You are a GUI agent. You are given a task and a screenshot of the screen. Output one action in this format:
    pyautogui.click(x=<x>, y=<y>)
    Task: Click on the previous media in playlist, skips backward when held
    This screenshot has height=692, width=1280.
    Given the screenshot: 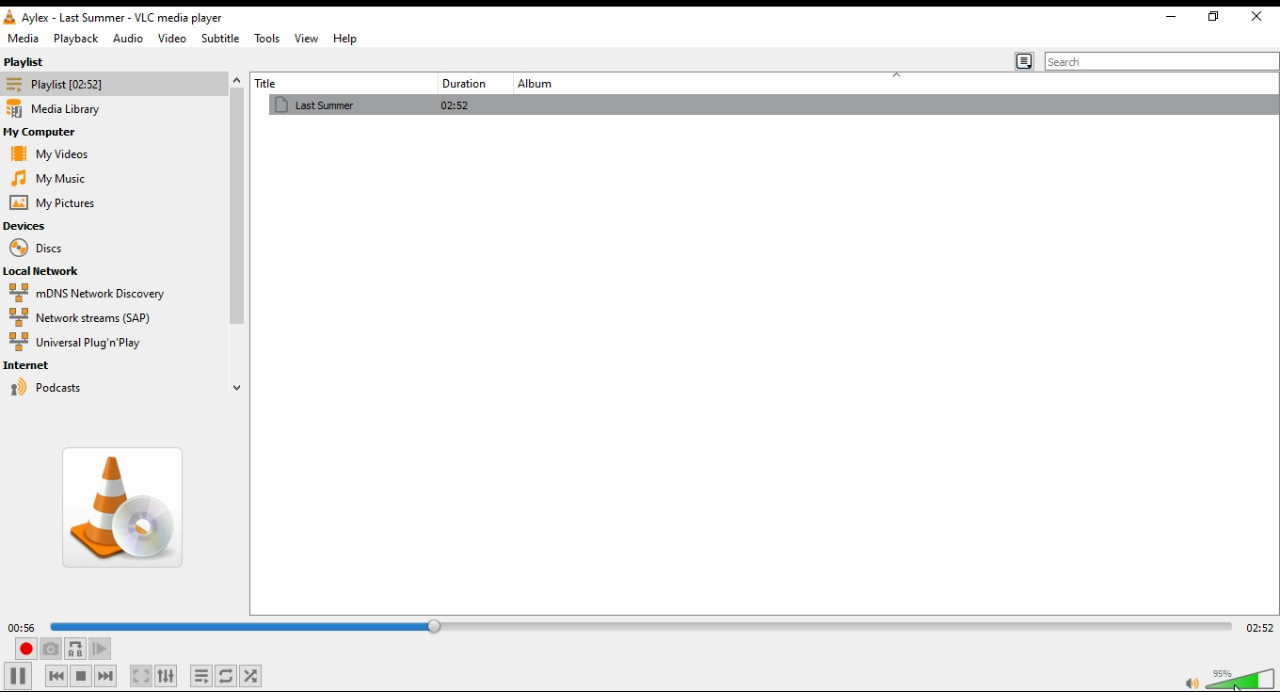 What is the action you would take?
    pyautogui.click(x=55, y=676)
    